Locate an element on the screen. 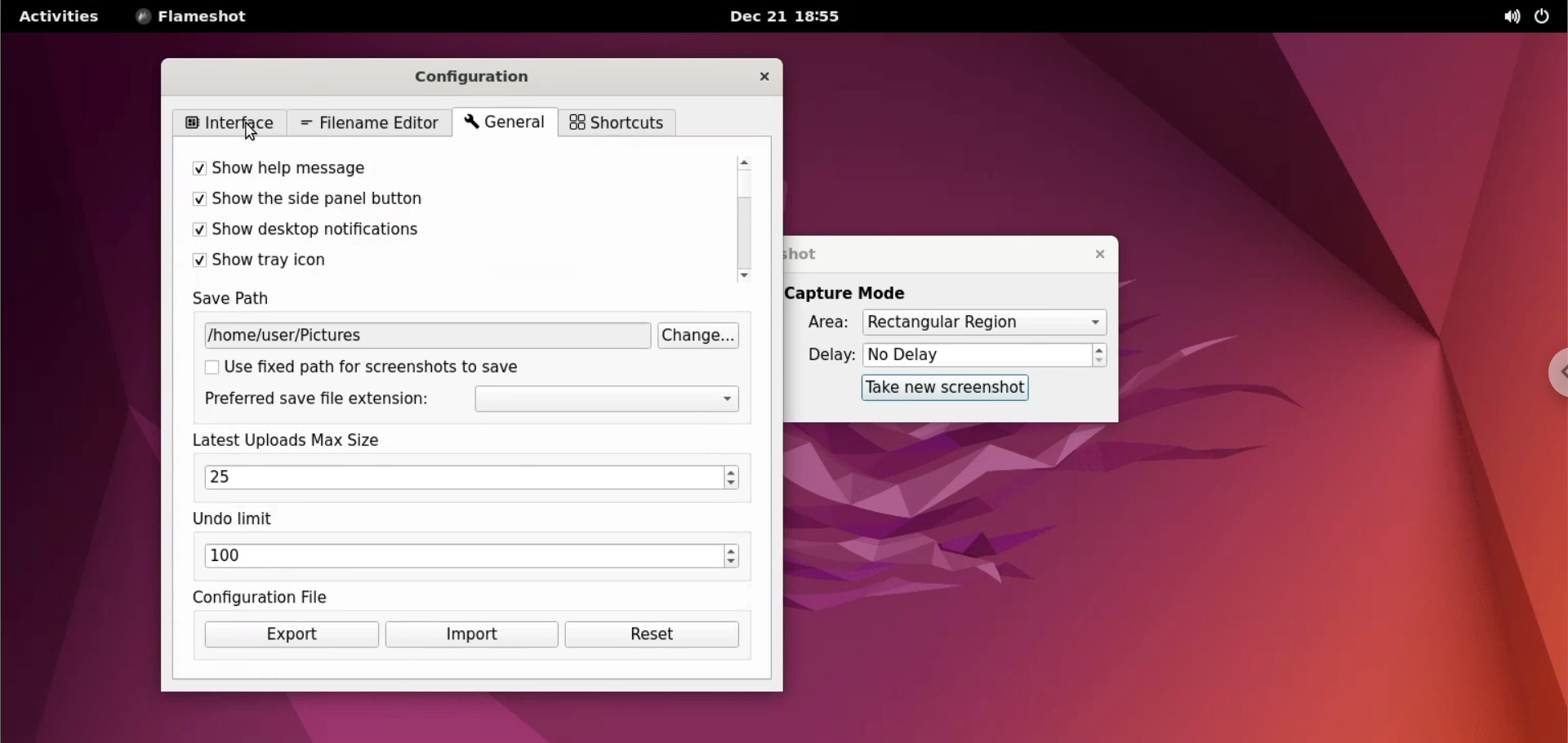 This screenshot has height=743, width=1568. cursor is located at coordinates (256, 135).